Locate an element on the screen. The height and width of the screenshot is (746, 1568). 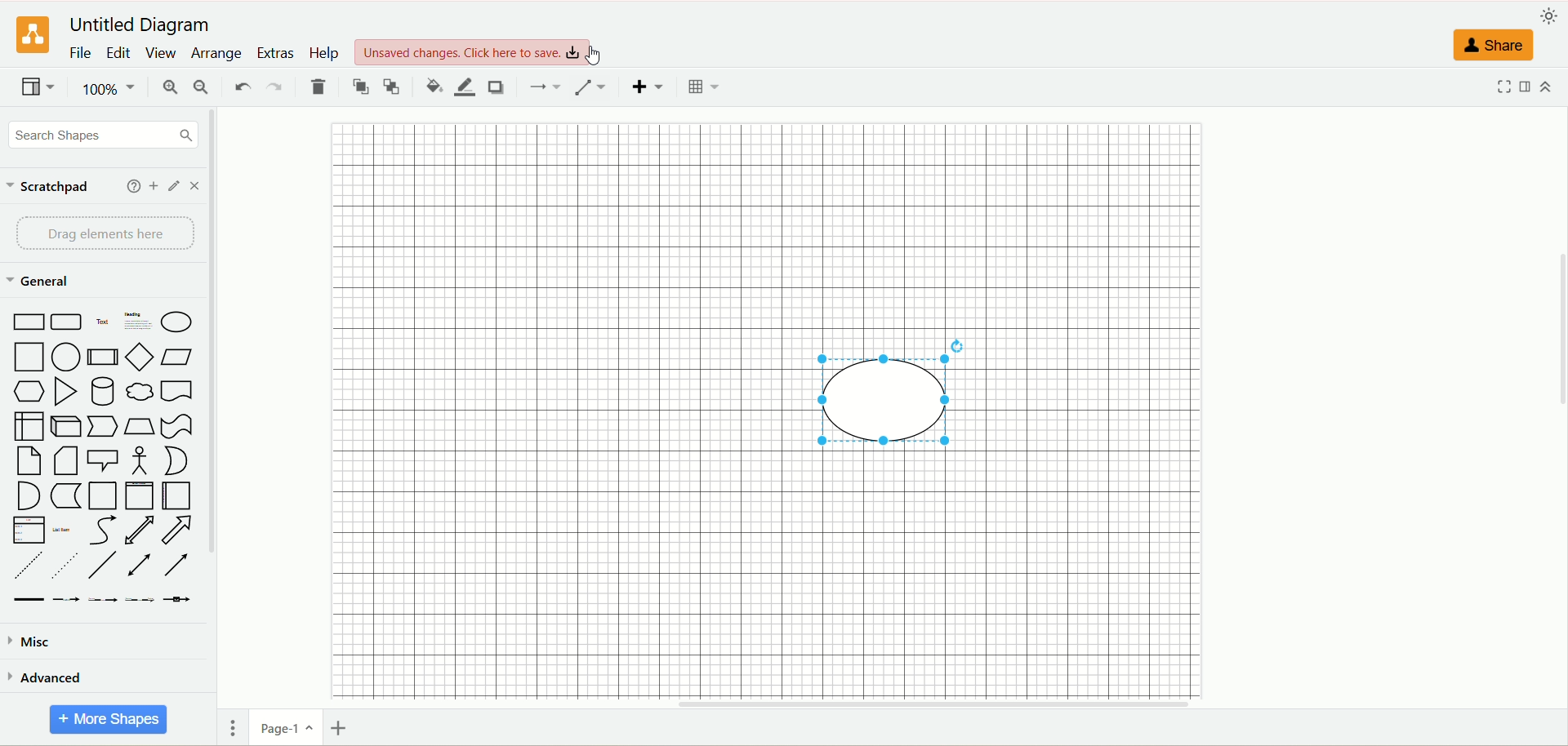
fill color is located at coordinates (432, 87).